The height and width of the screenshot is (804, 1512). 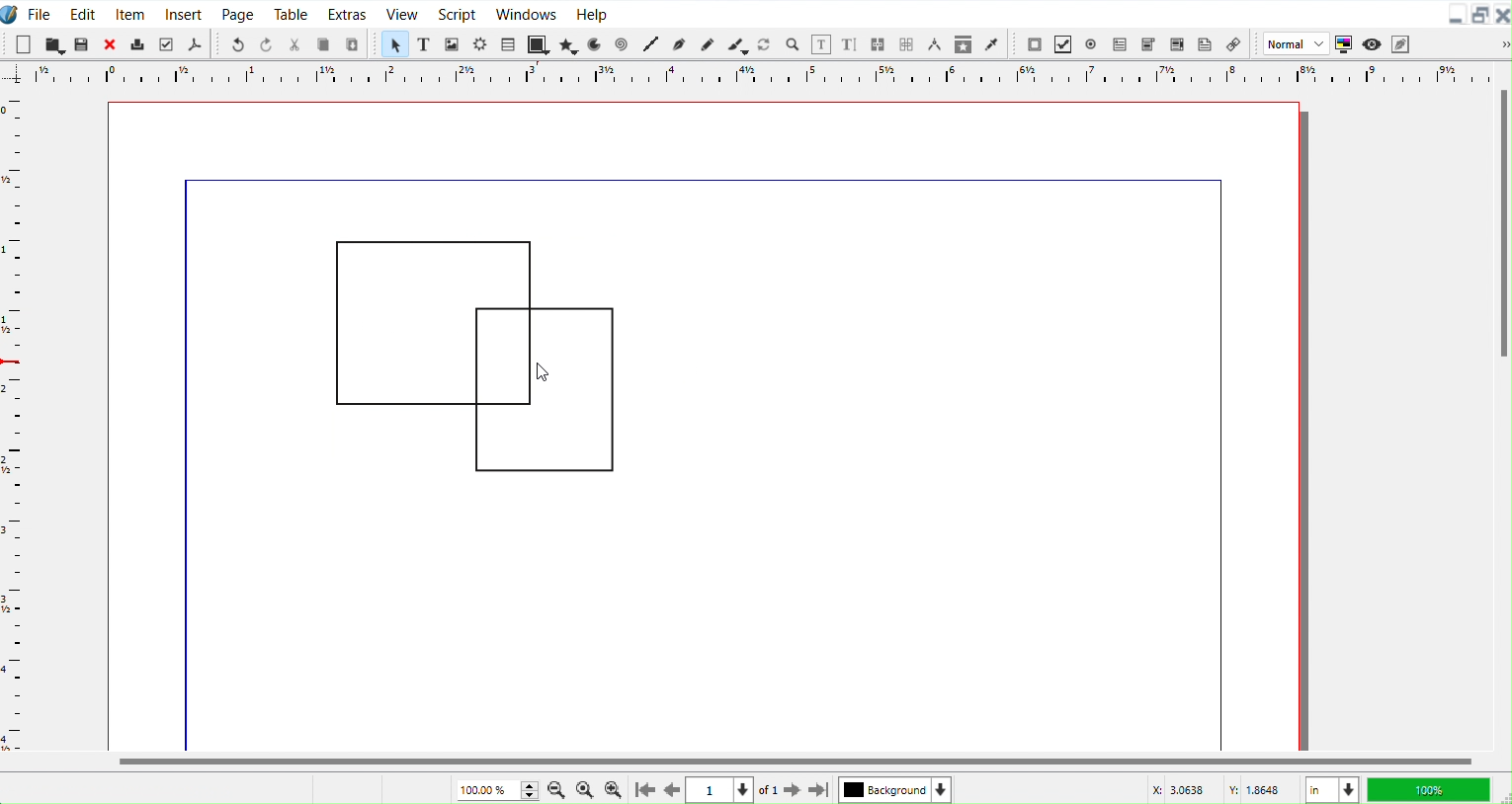 I want to click on Zoom In, so click(x=615, y=790).